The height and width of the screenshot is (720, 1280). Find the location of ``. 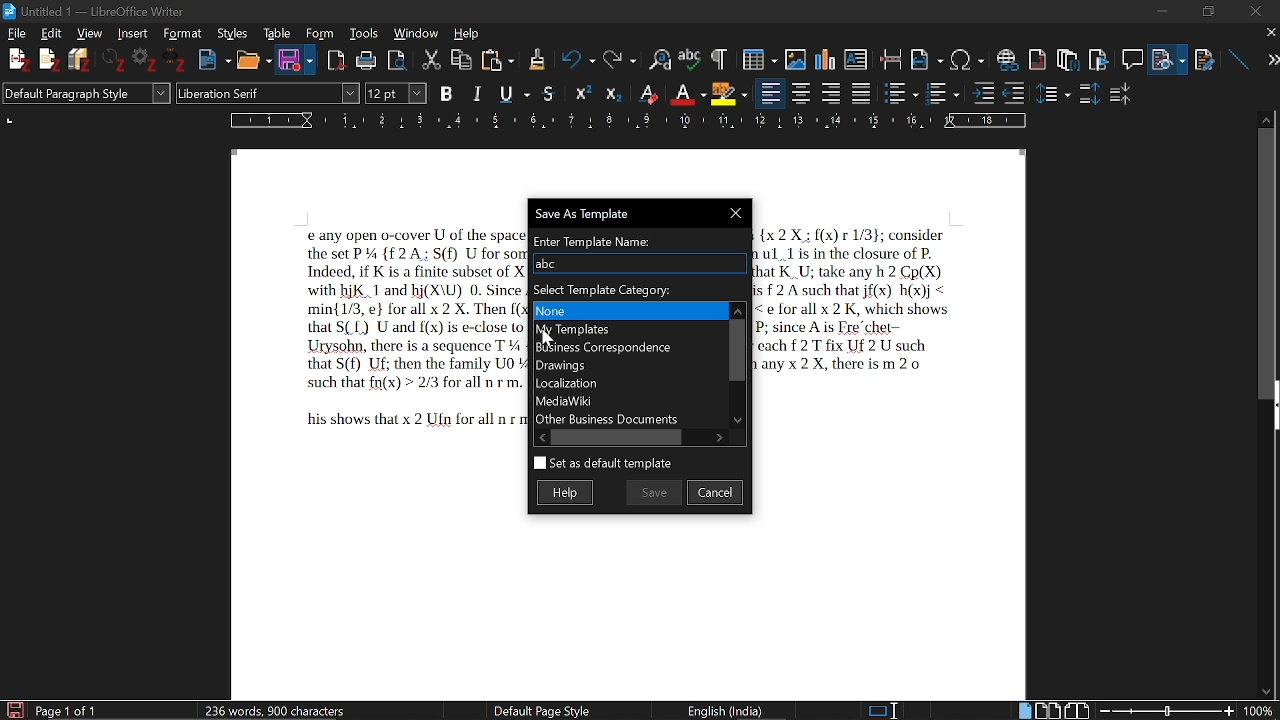

 is located at coordinates (536, 59).